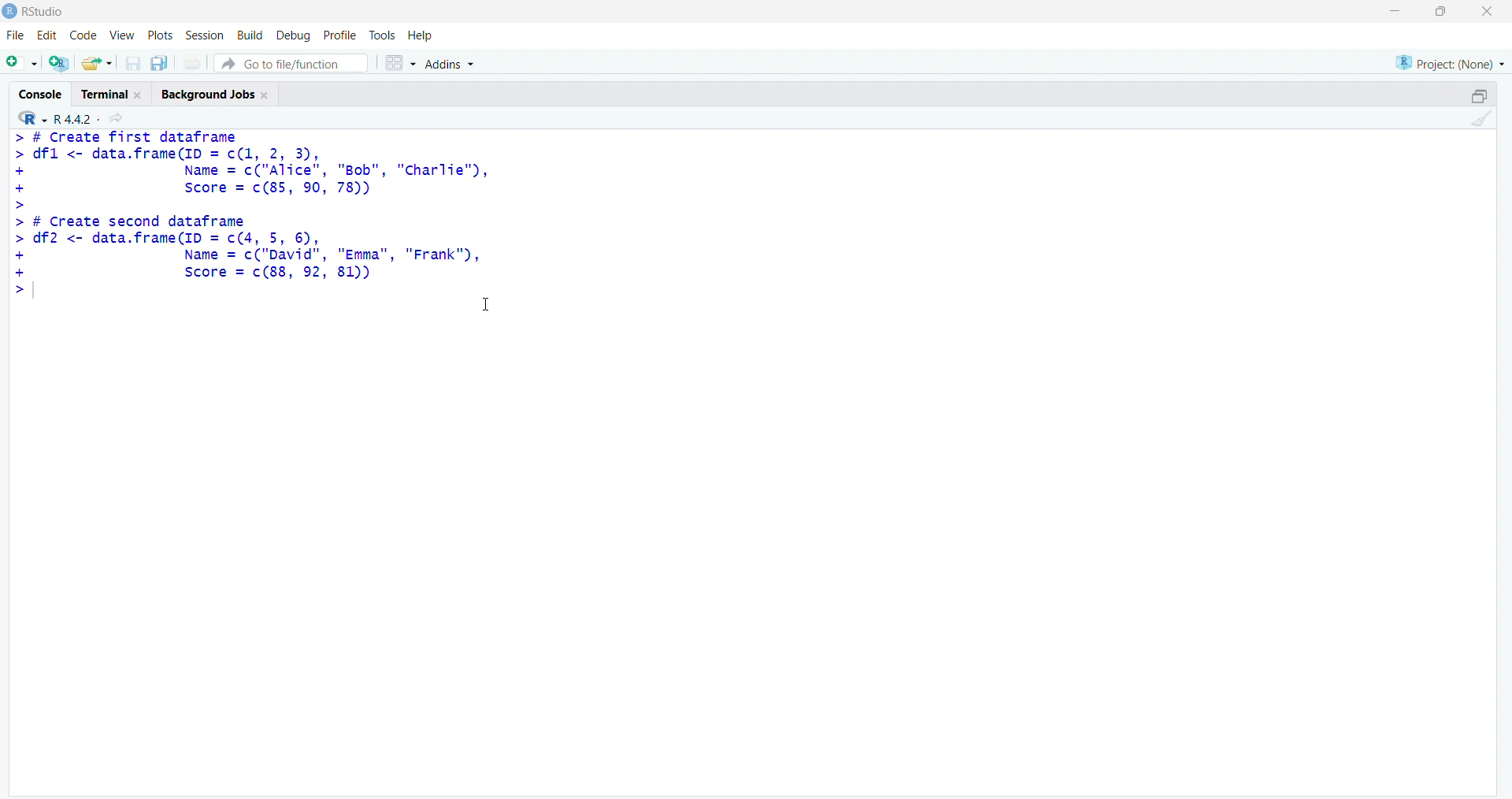  Describe the element at coordinates (217, 92) in the screenshot. I see `Background Jobs` at that location.